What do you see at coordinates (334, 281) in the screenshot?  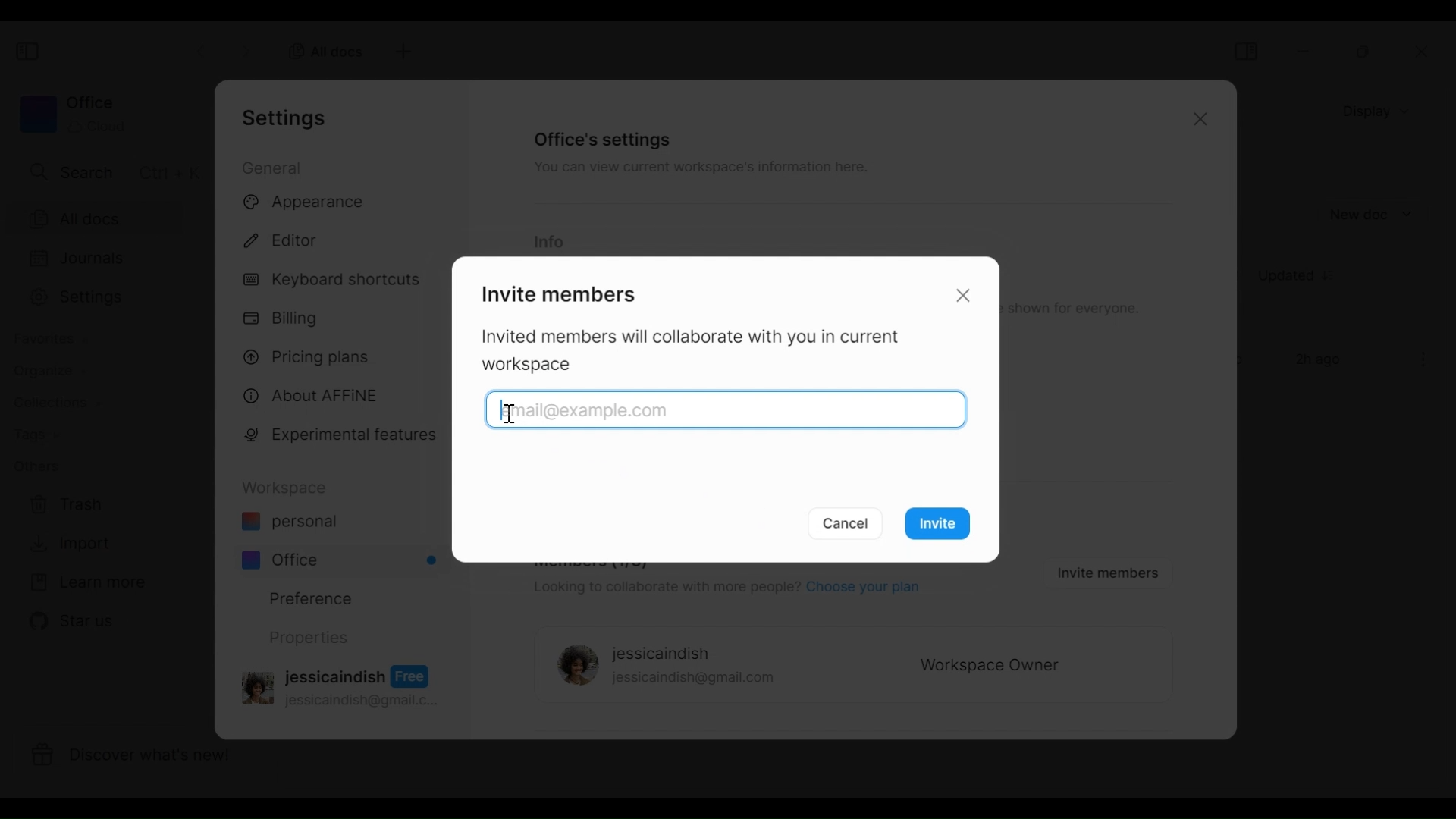 I see `Keyboard shortcuts` at bounding box center [334, 281].